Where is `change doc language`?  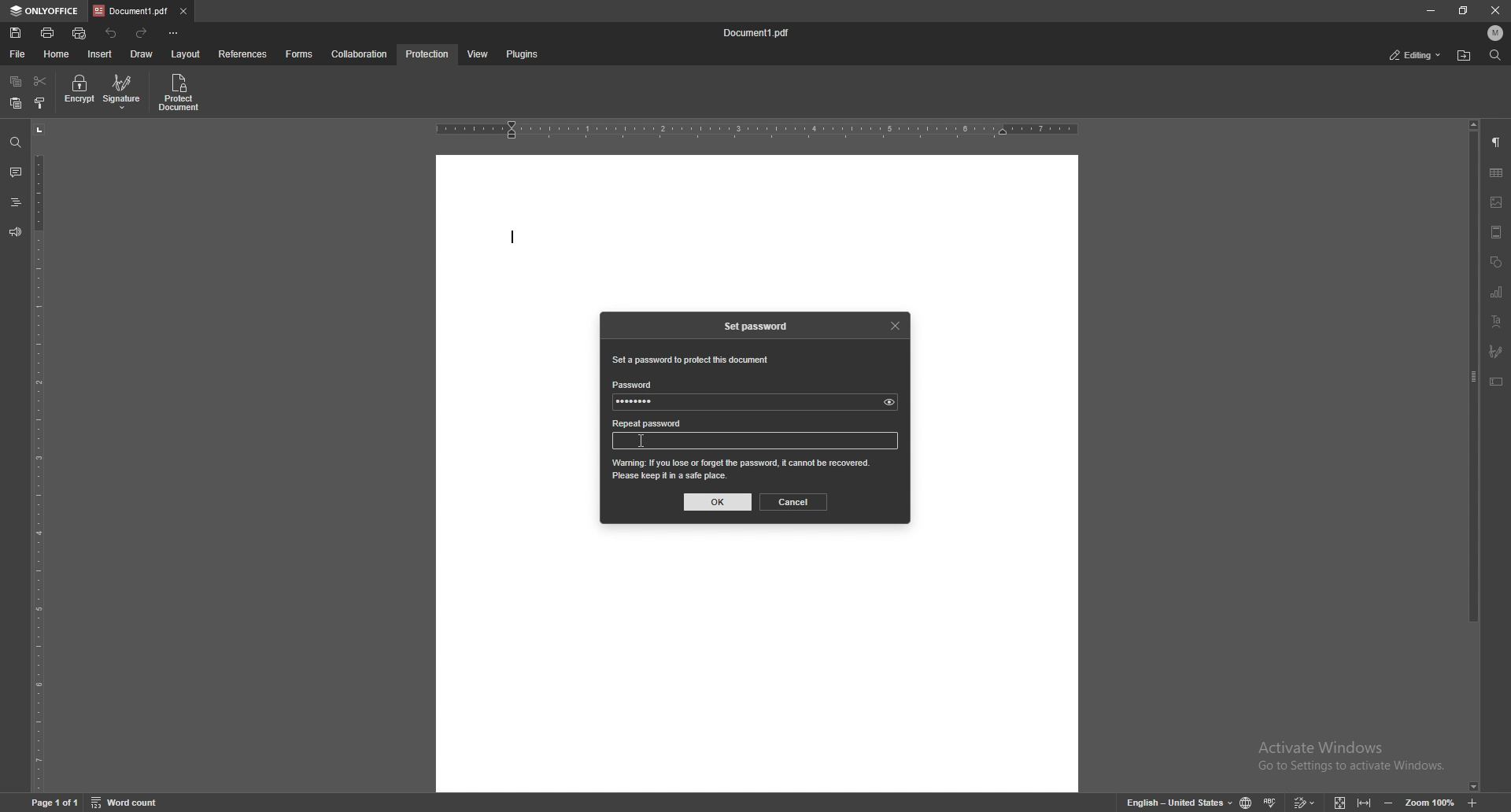
change doc language is located at coordinates (1247, 802).